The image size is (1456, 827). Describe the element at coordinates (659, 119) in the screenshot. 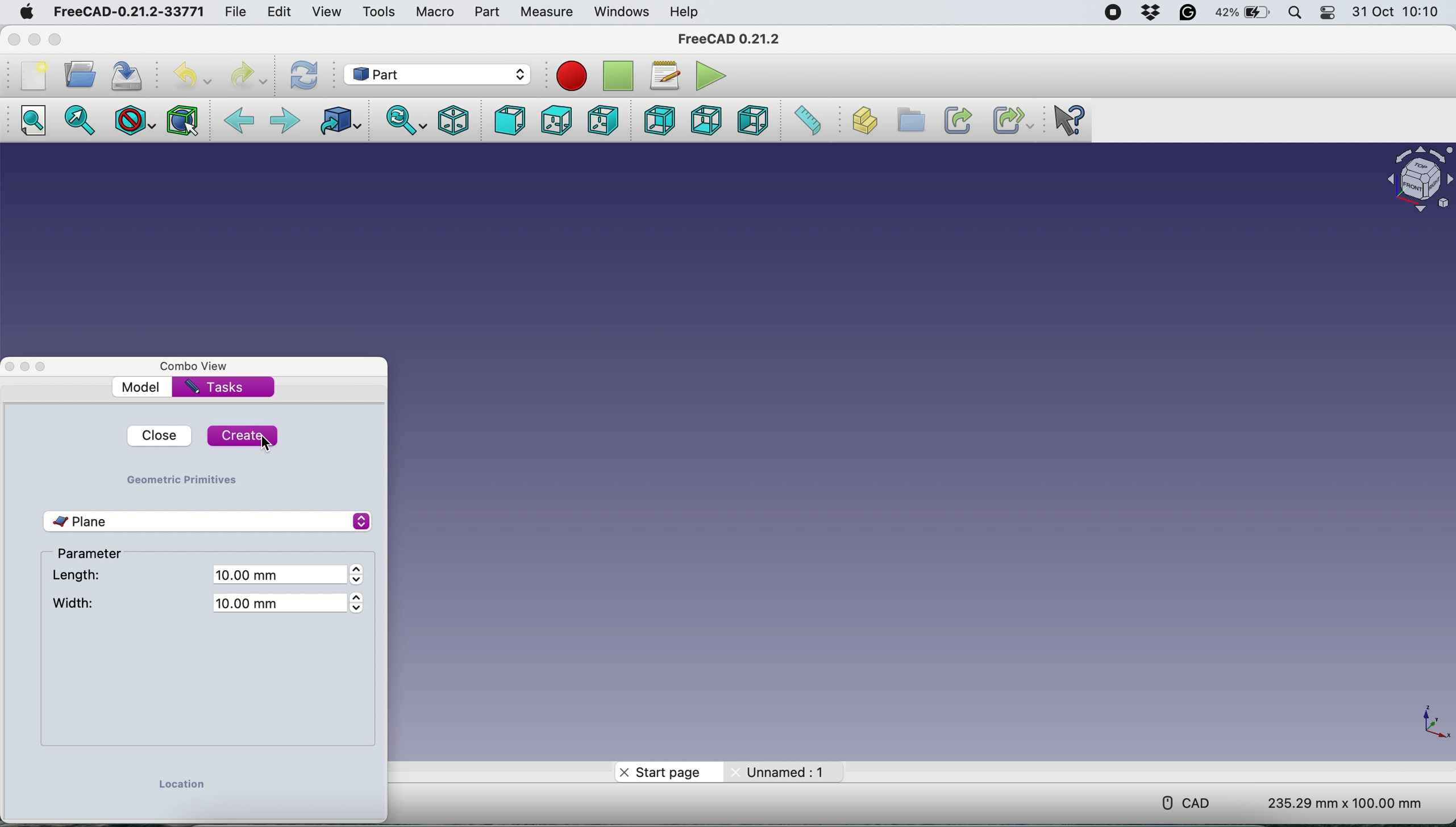

I see `Rear` at that location.